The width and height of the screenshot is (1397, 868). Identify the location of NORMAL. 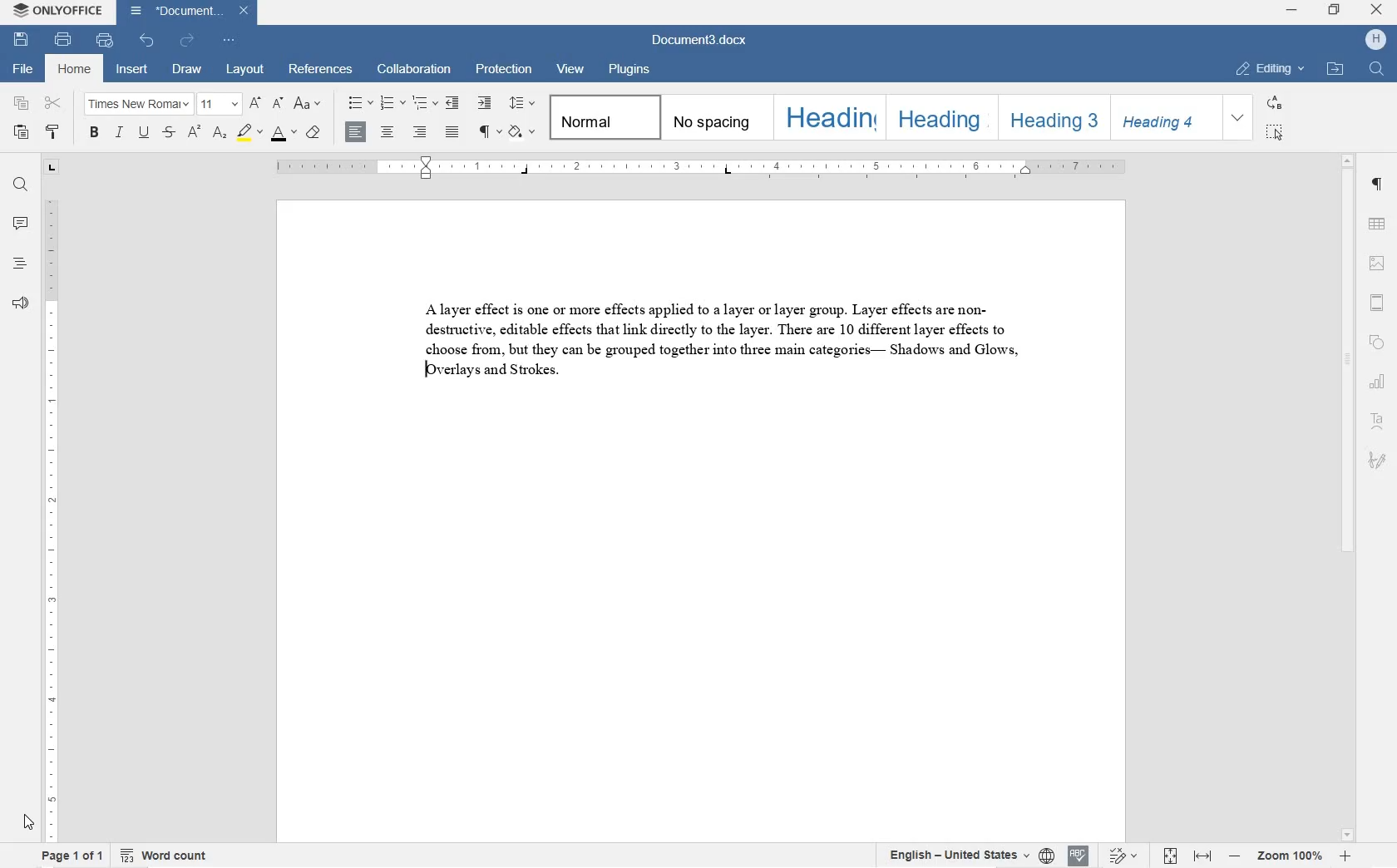
(603, 117).